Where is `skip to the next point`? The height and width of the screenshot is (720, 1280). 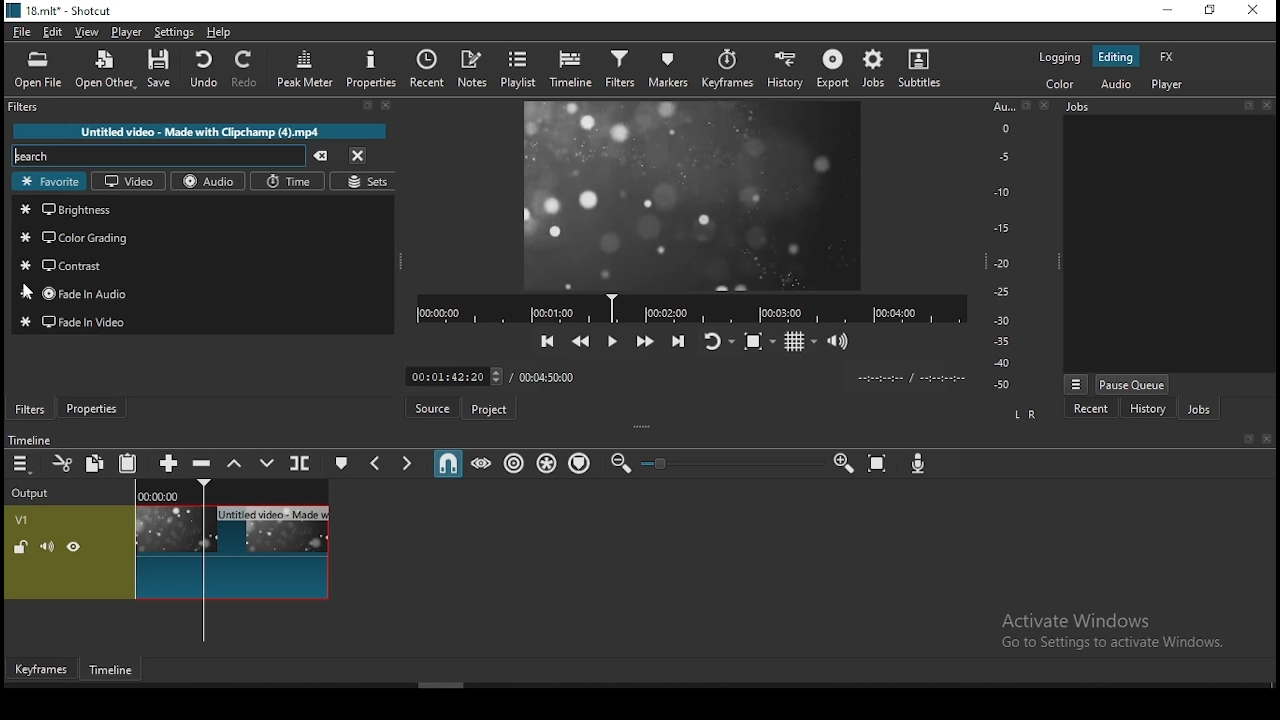
skip to the next point is located at coordinates (679, 340).